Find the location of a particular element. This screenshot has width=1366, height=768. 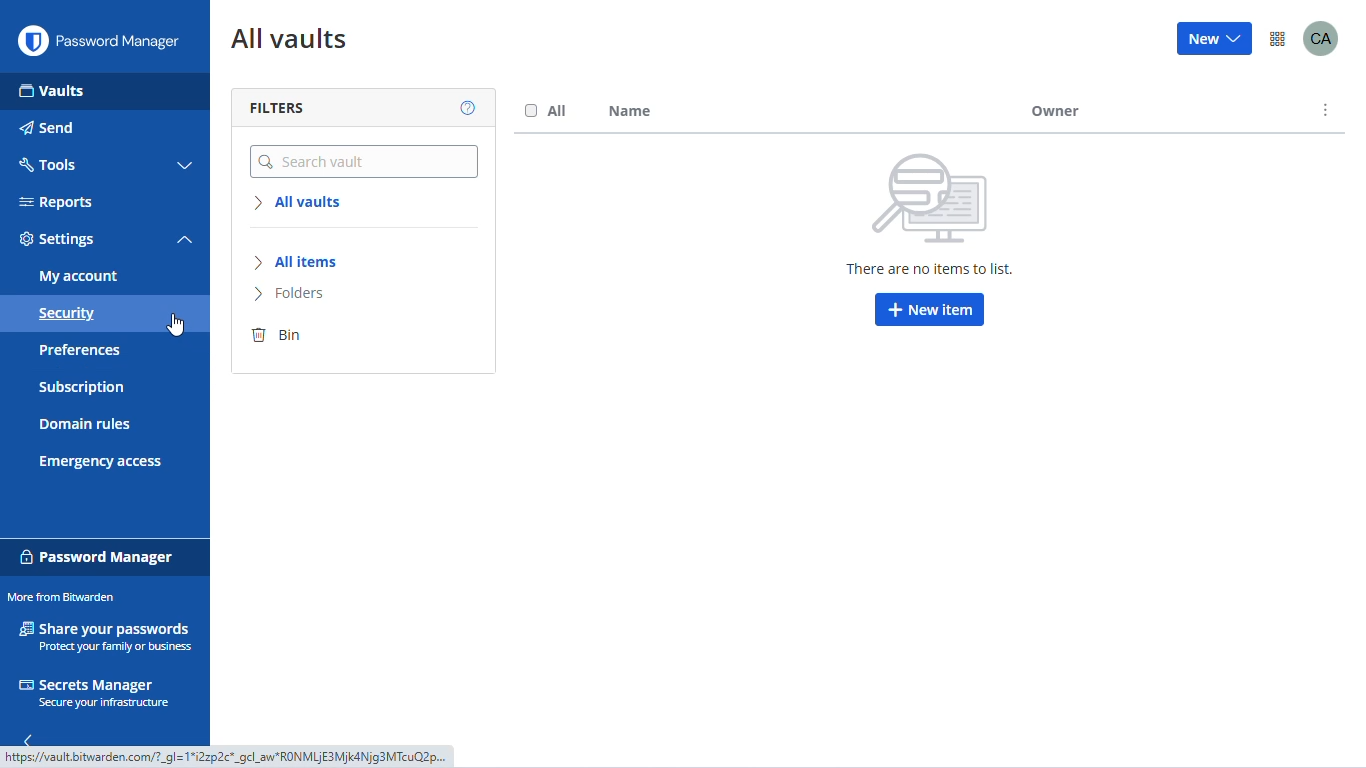

preferences is located at coordinates (78, 350).